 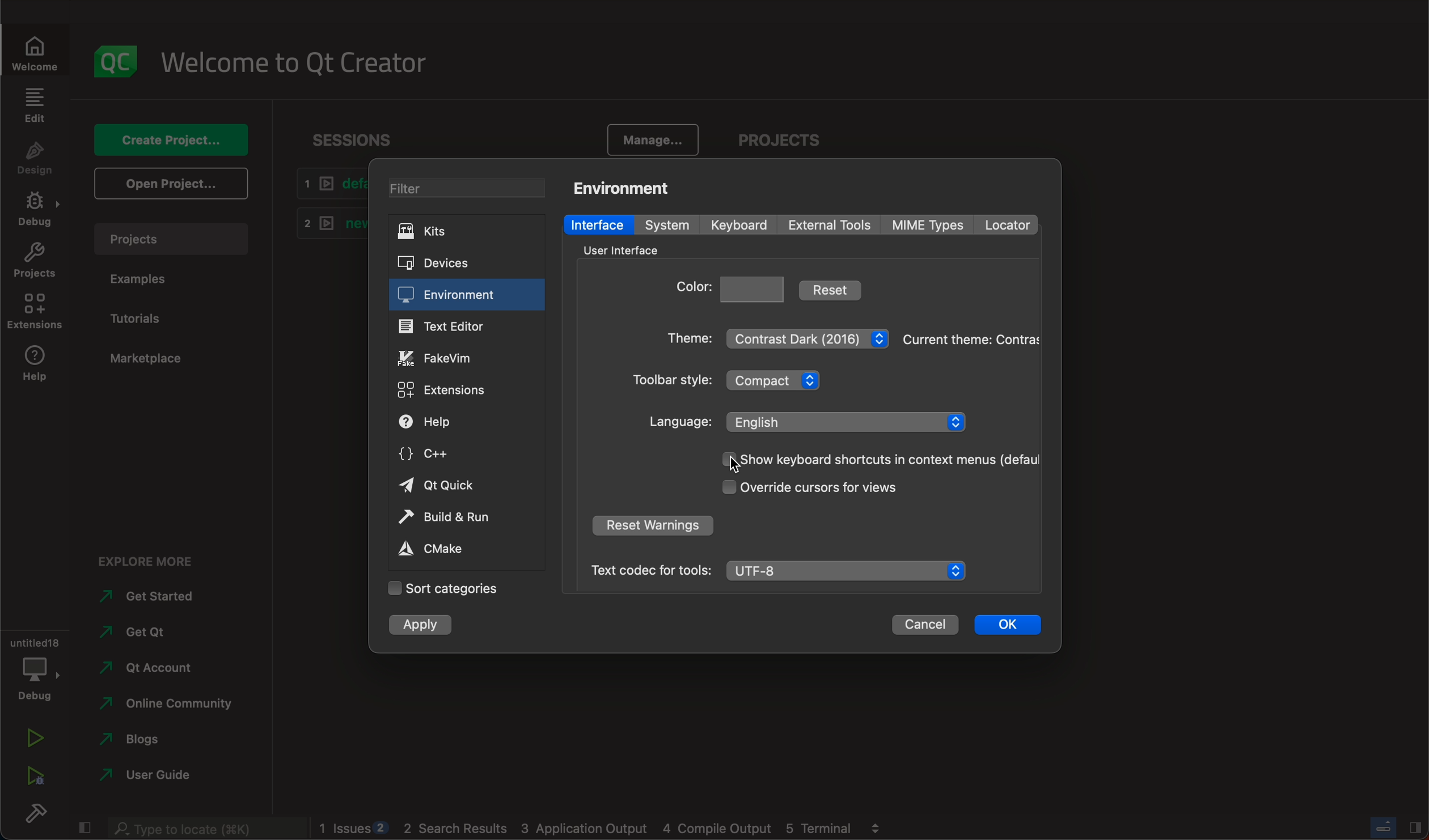 What do you see at coordinates (173, 243) in the screenshot?
I see `project` at bounding box center [173, 243].